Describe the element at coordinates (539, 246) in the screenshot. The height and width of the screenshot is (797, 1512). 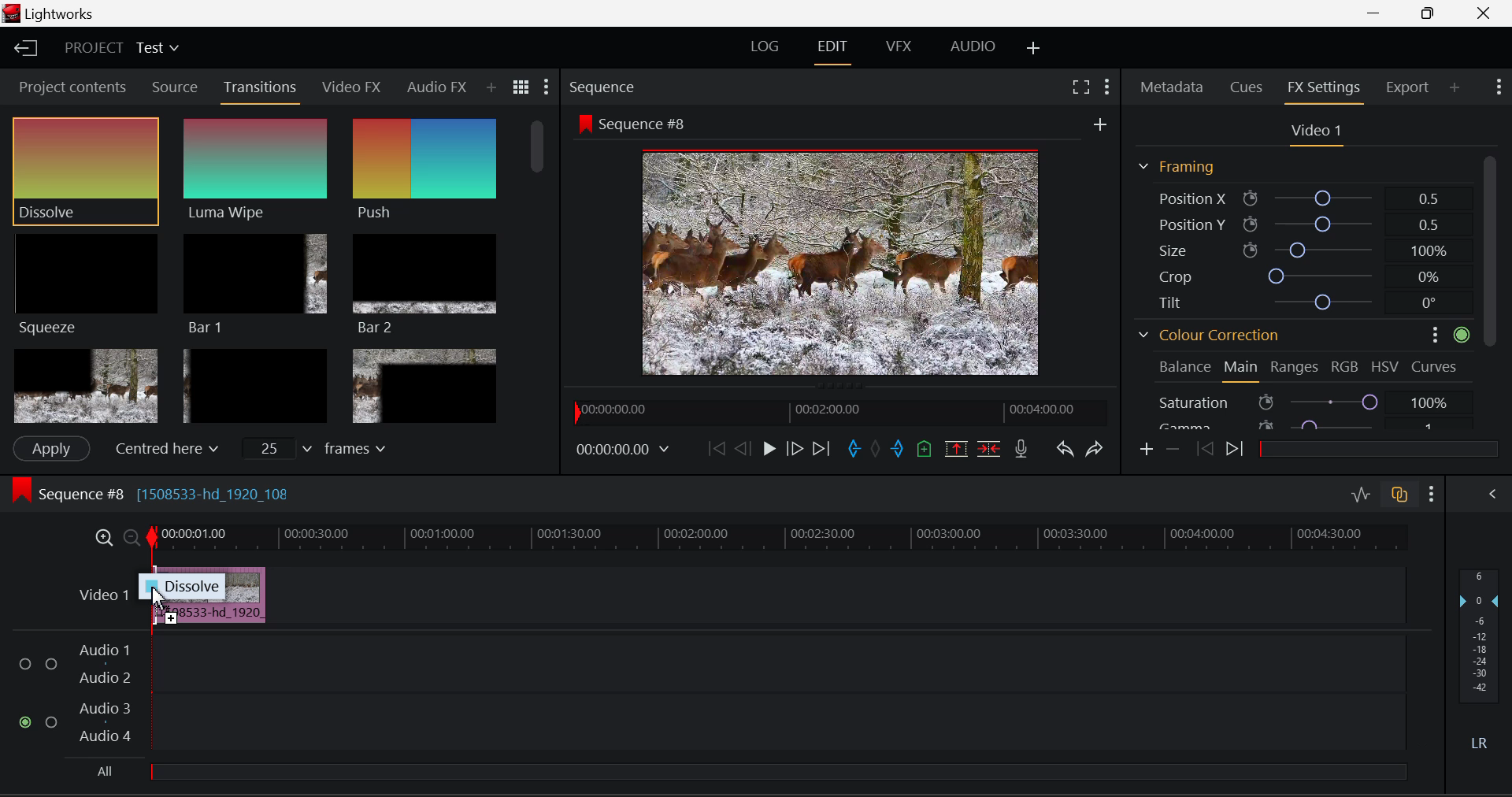
I see `Scroll Bar` at that location.